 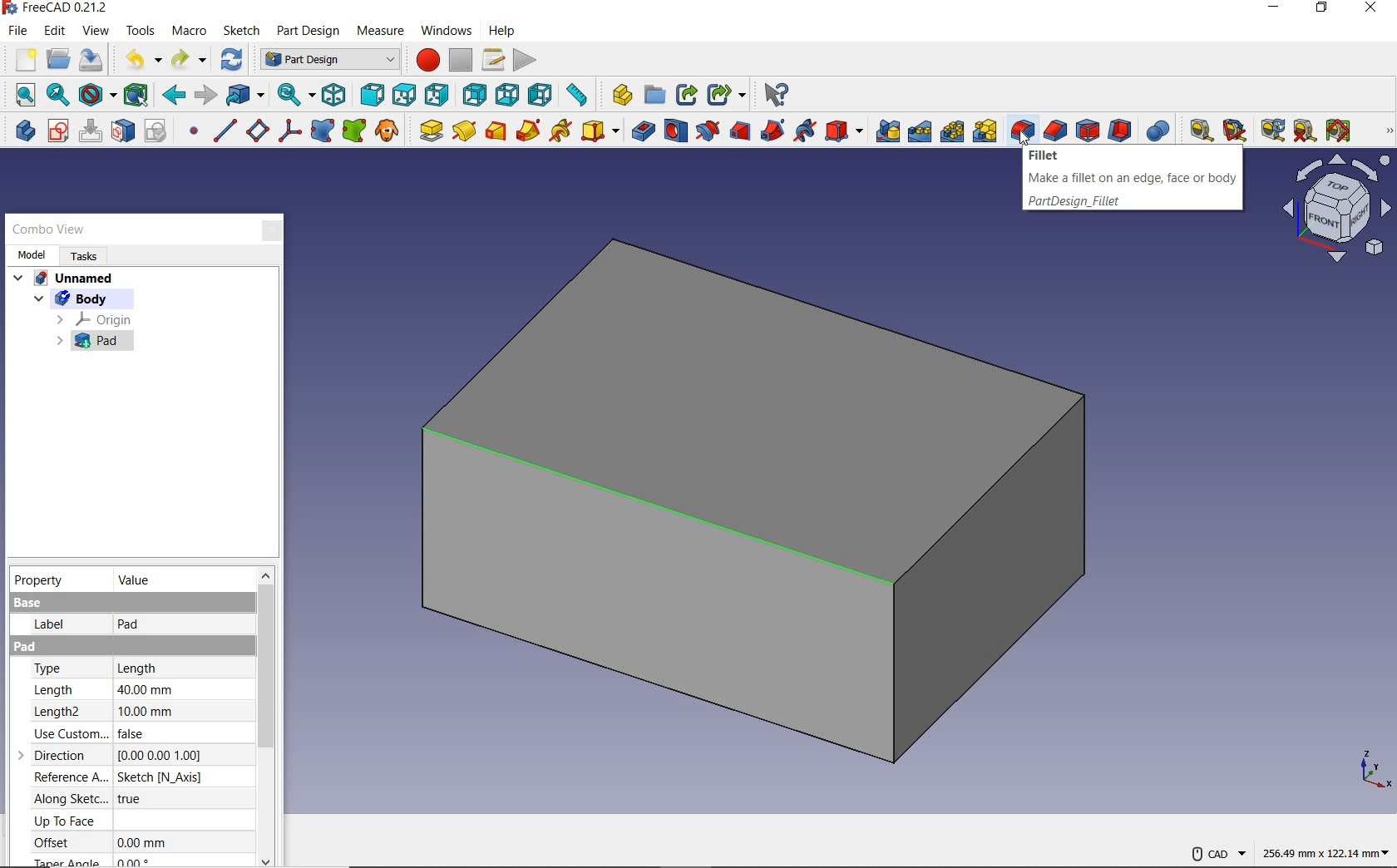 What do you see at coordinates (146, 689) in the screenshot?
I see `40.00 mm` at bounding box center [146, 689].